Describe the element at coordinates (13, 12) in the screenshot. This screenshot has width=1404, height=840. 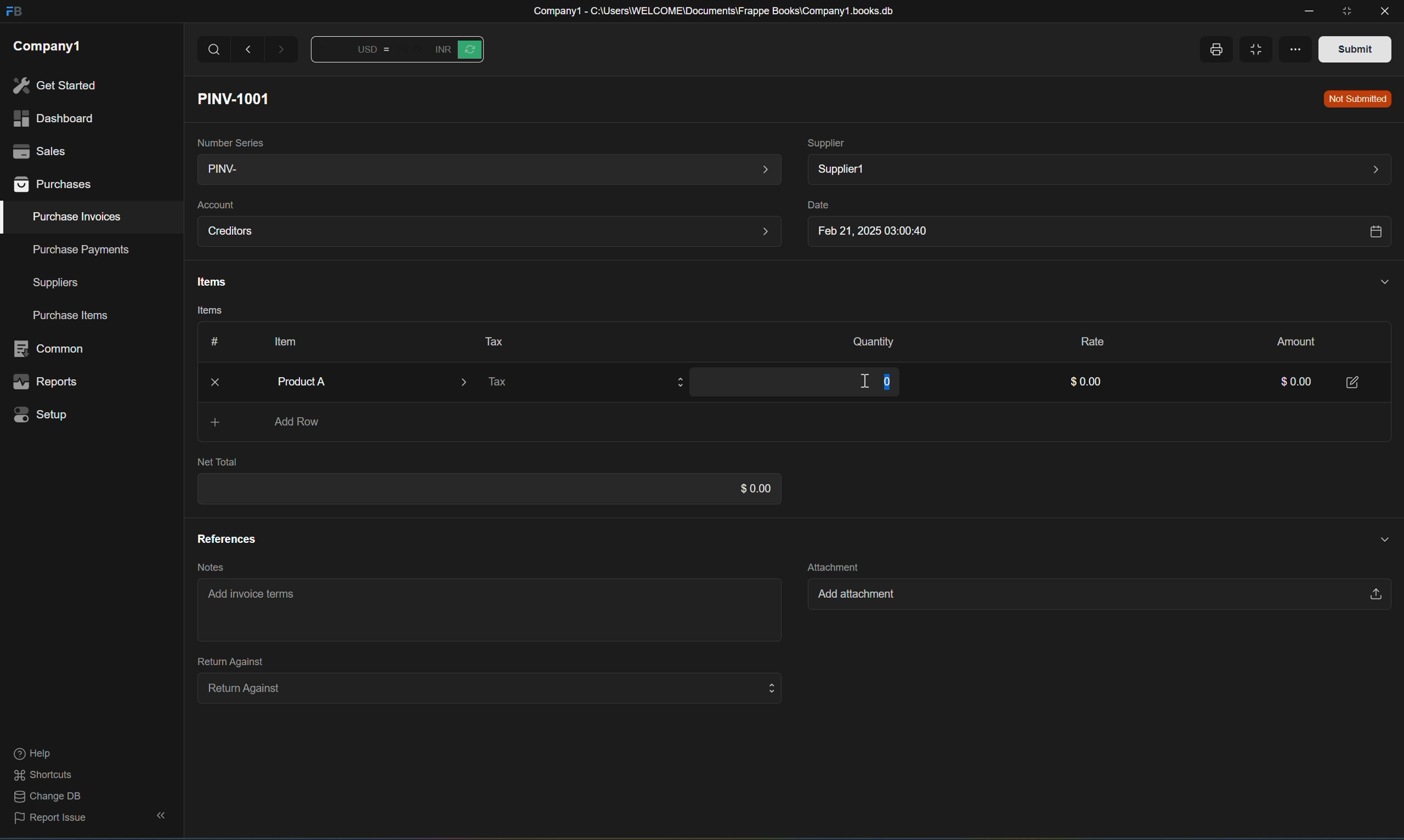
I see `FB` at that location.